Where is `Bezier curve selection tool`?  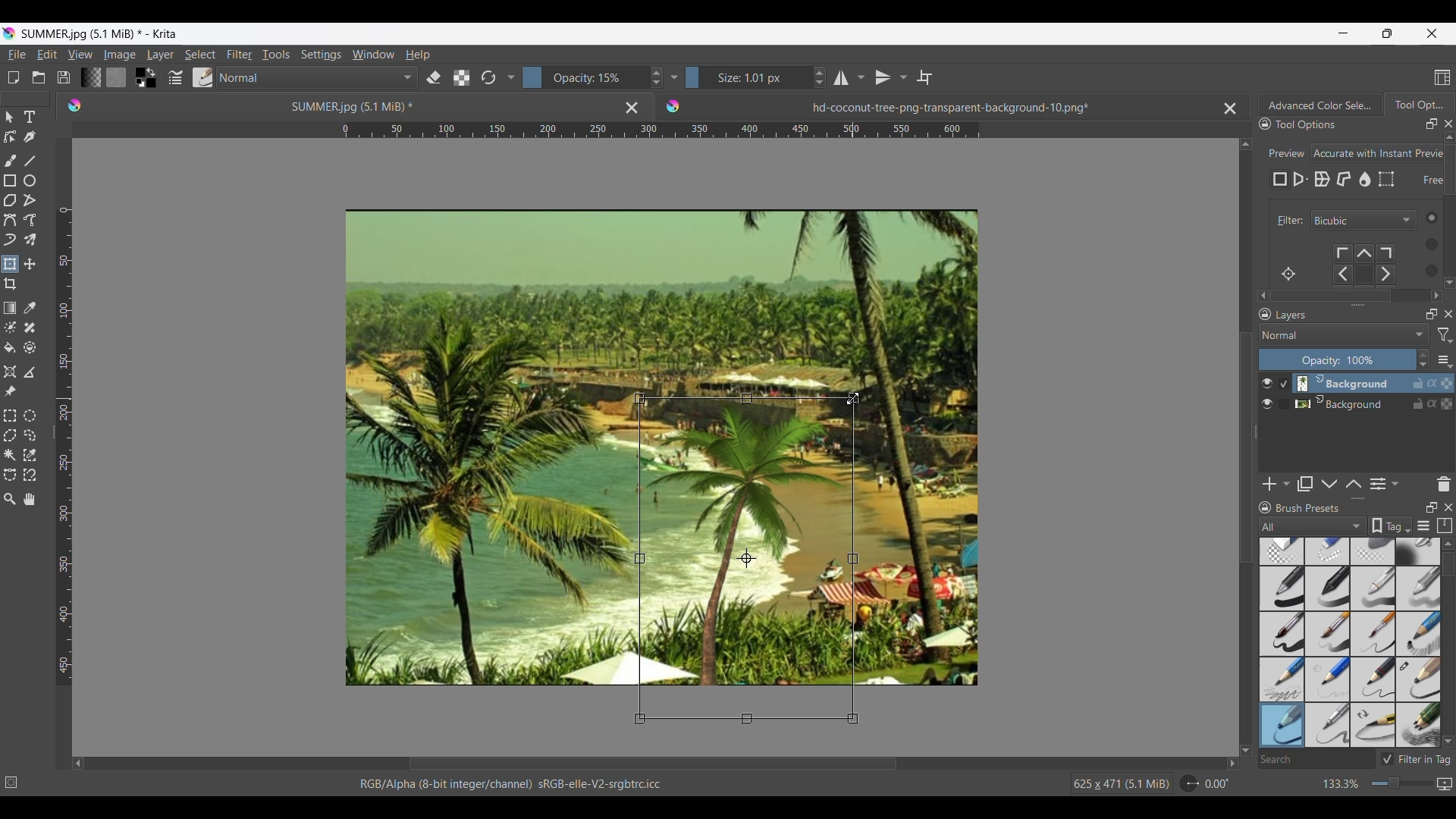
Bezier curve selection tool is located at coordinates (10, 474).